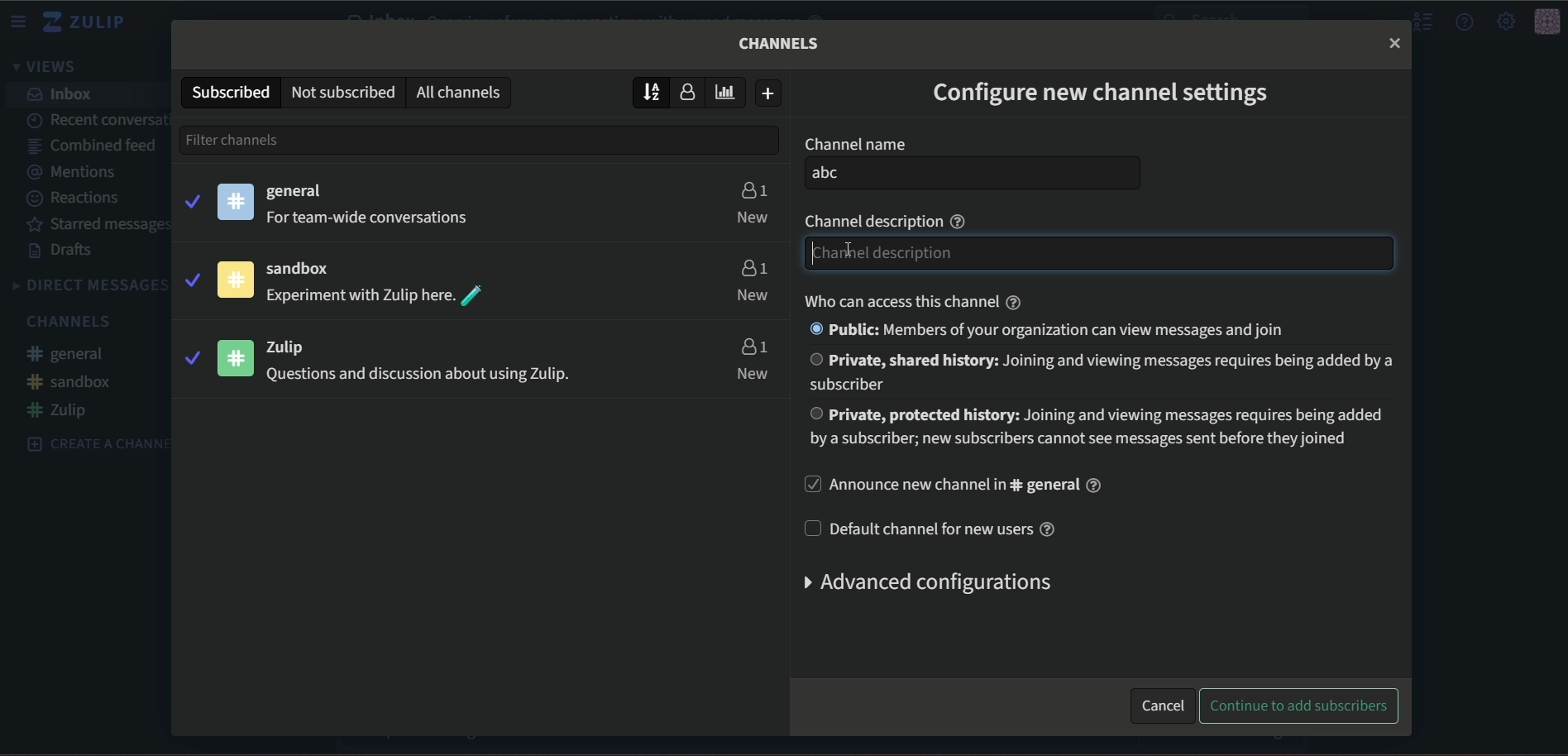 The width and height of the screenshot is (1568, 756). I want to click on icon, so click(235, 200).